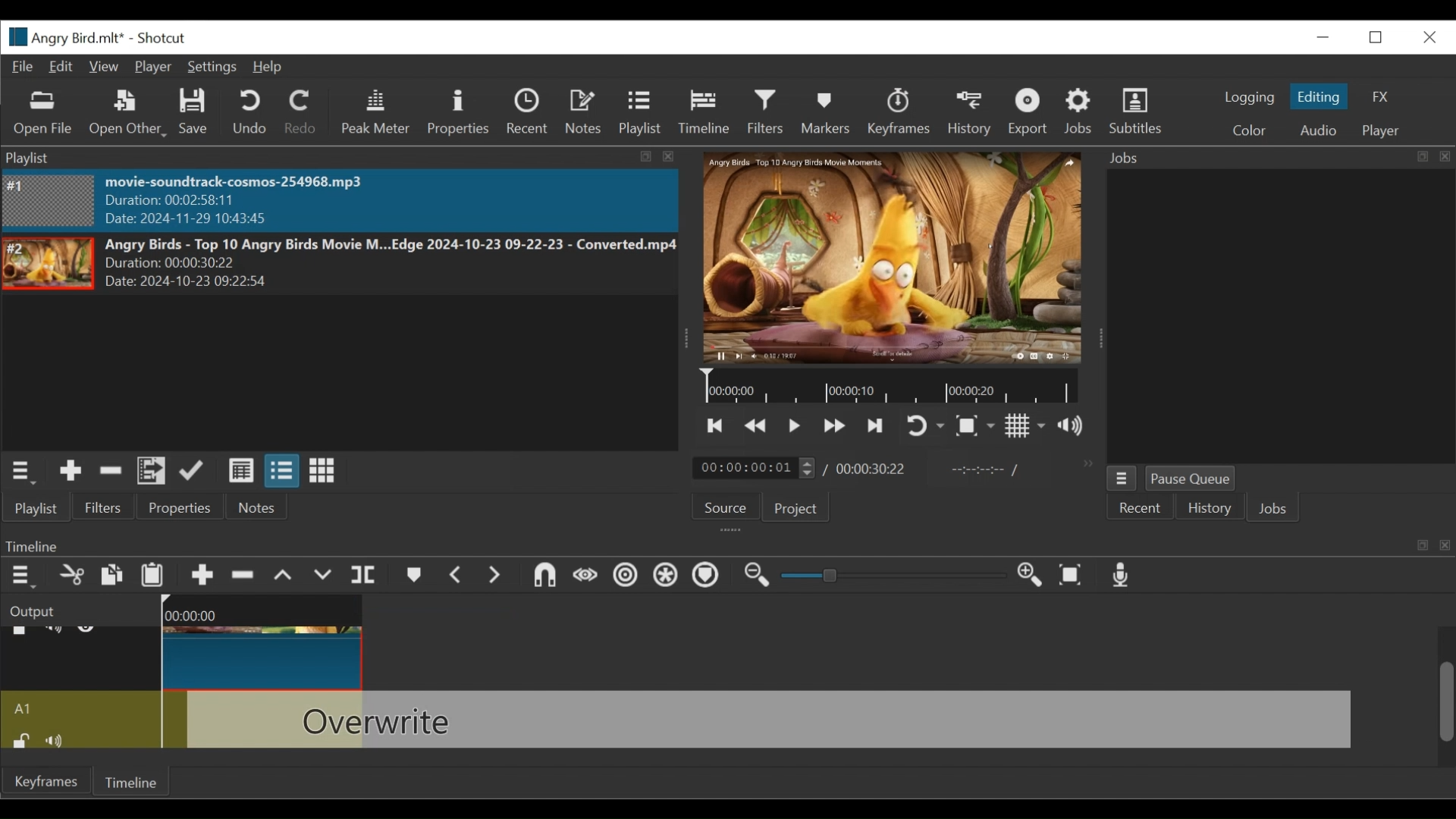  Describe the element at coordinates (1209, 508) in the screenshot. I see `History` at that location.